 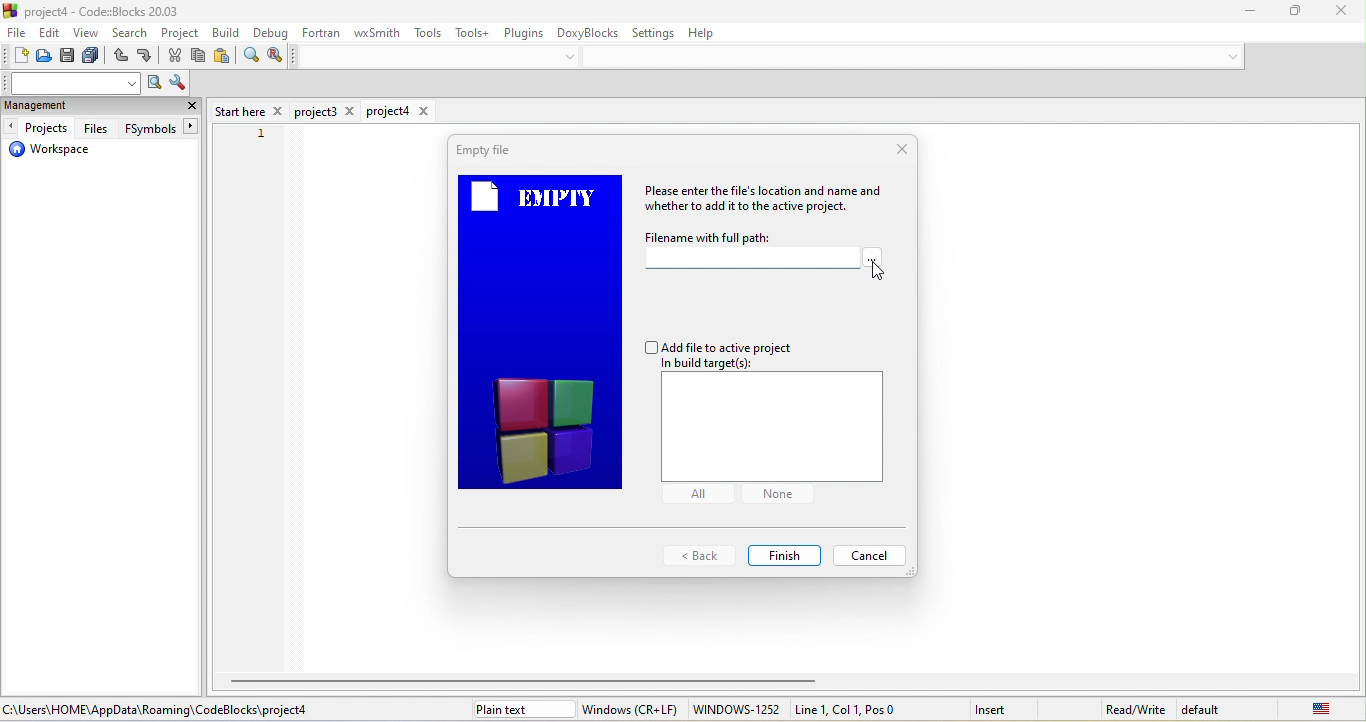 What do you see at coordinates (322, 32) in the screenshot?
I see `fortran` at bounding box center [322, 32].